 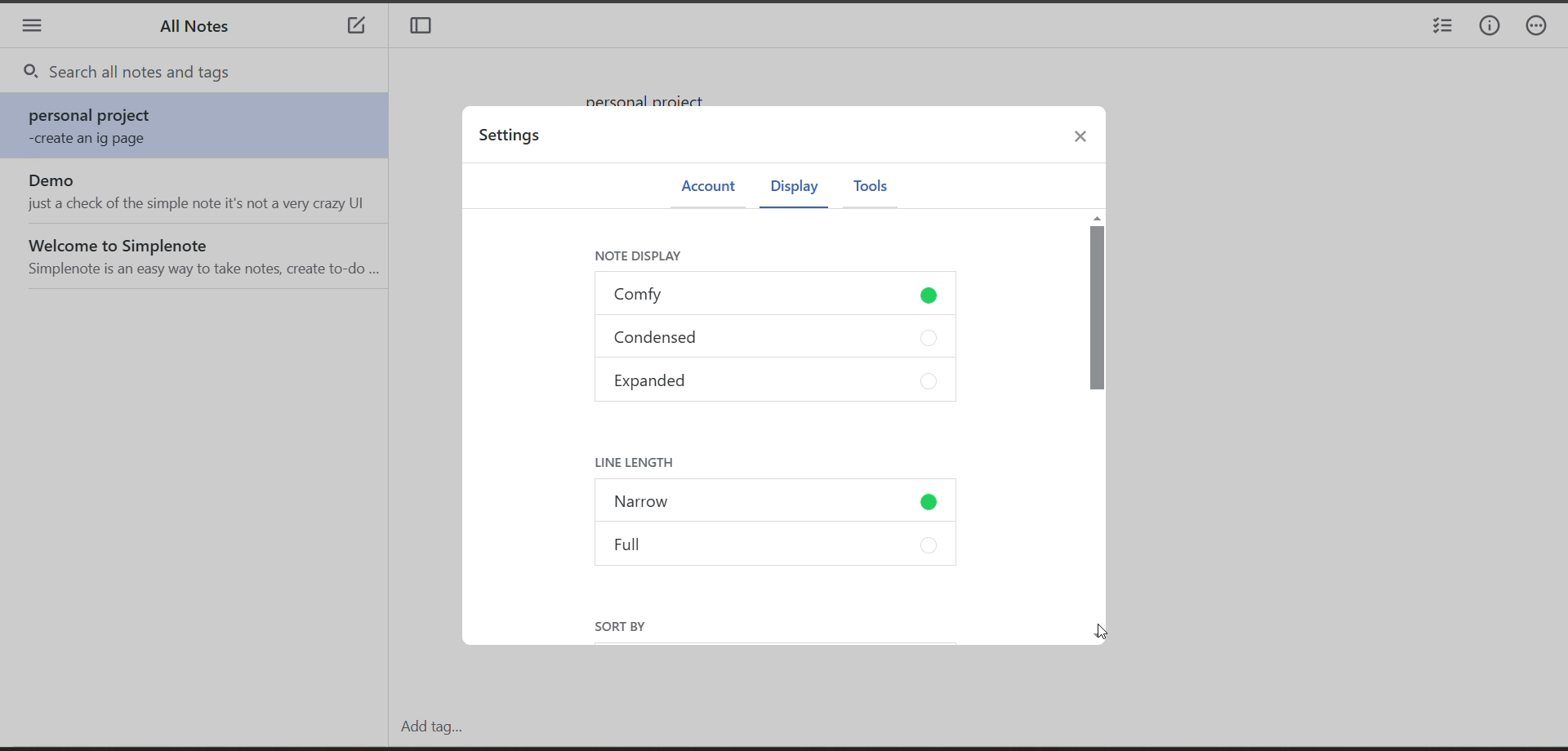 I want to click on close, so click(x=1088, y=140).